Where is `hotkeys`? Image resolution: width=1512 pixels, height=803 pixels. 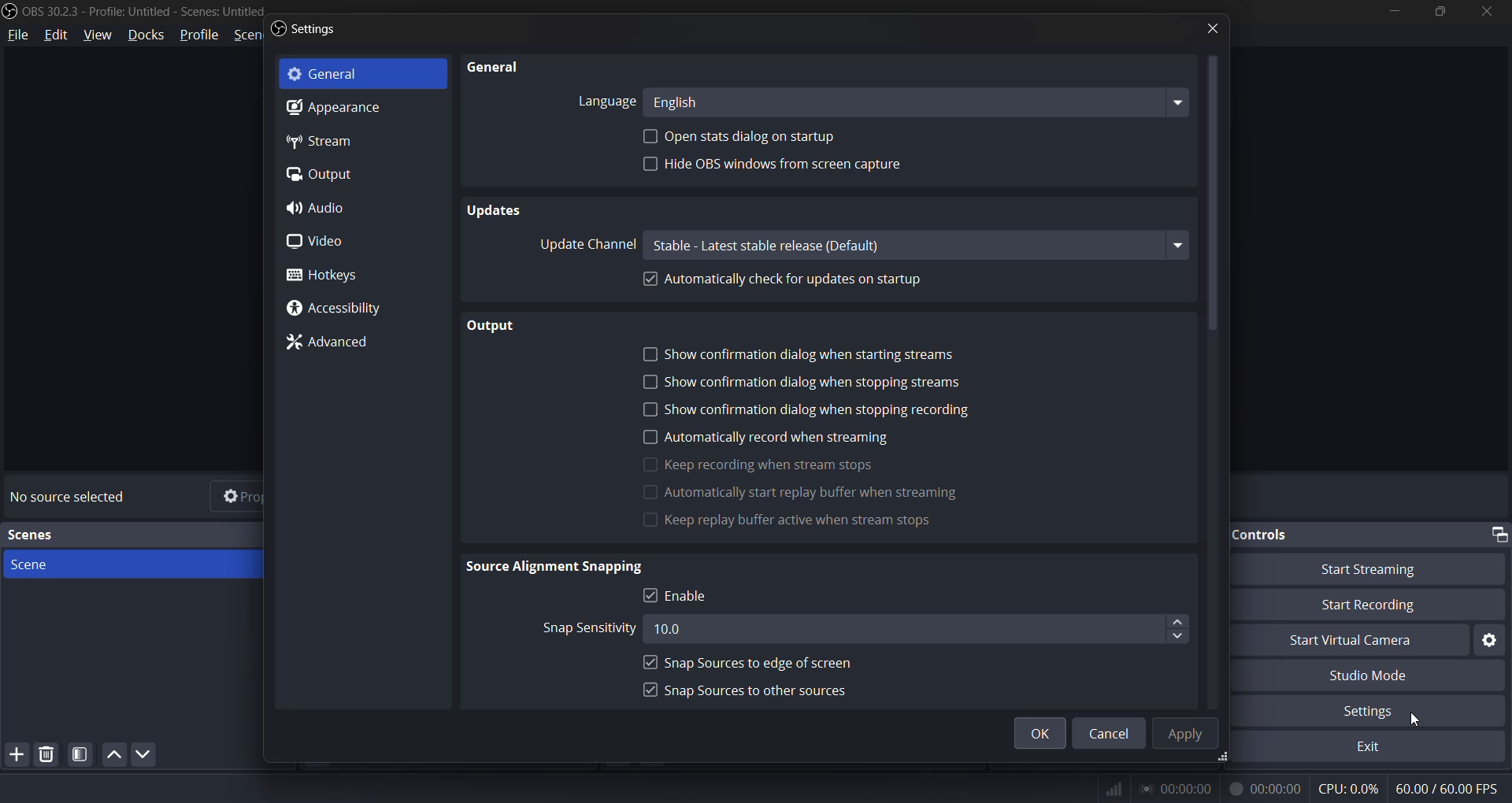
hotkeys is located at coordinates (325, 276).